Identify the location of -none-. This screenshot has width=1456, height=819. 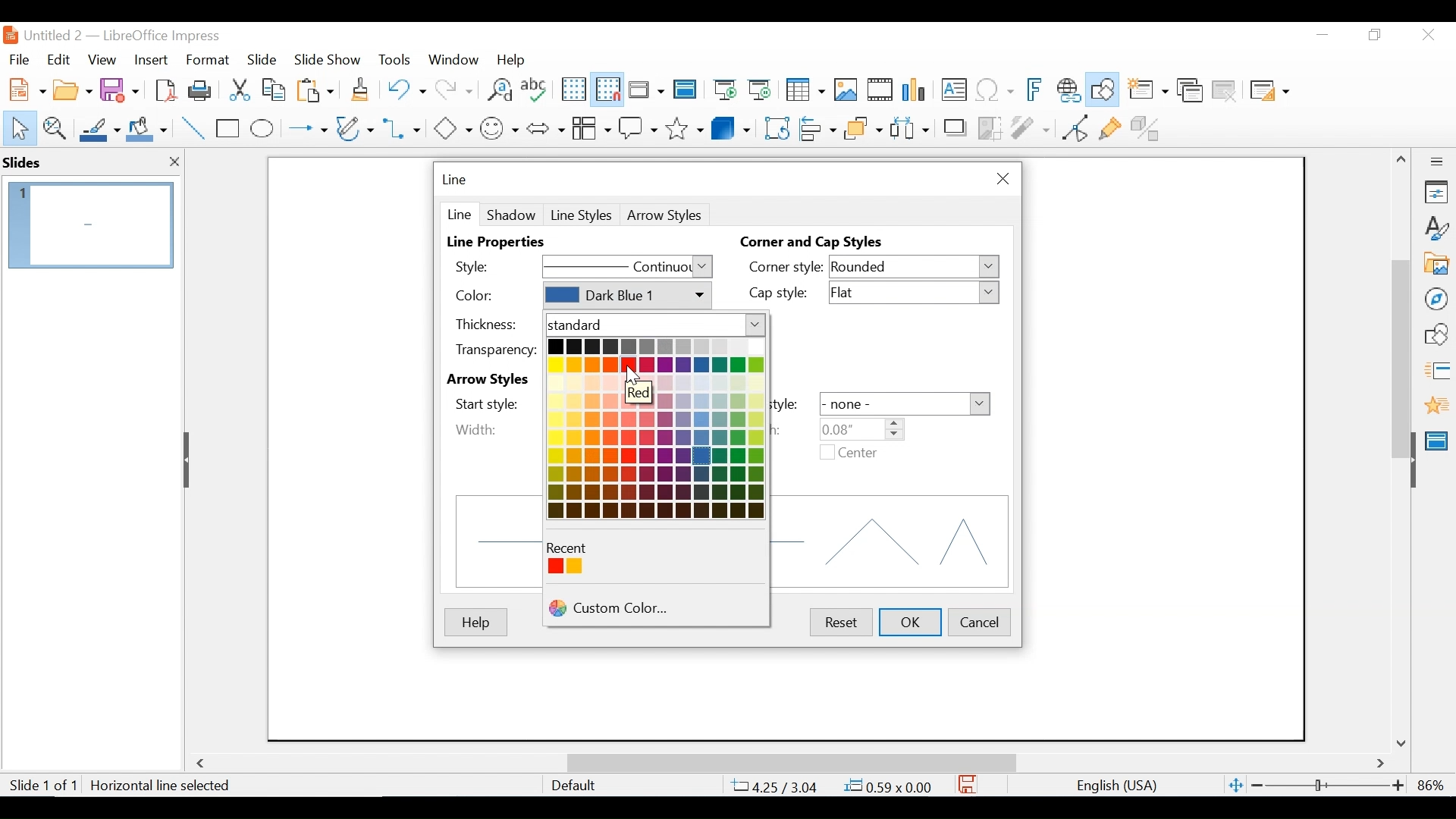
(905, 403).